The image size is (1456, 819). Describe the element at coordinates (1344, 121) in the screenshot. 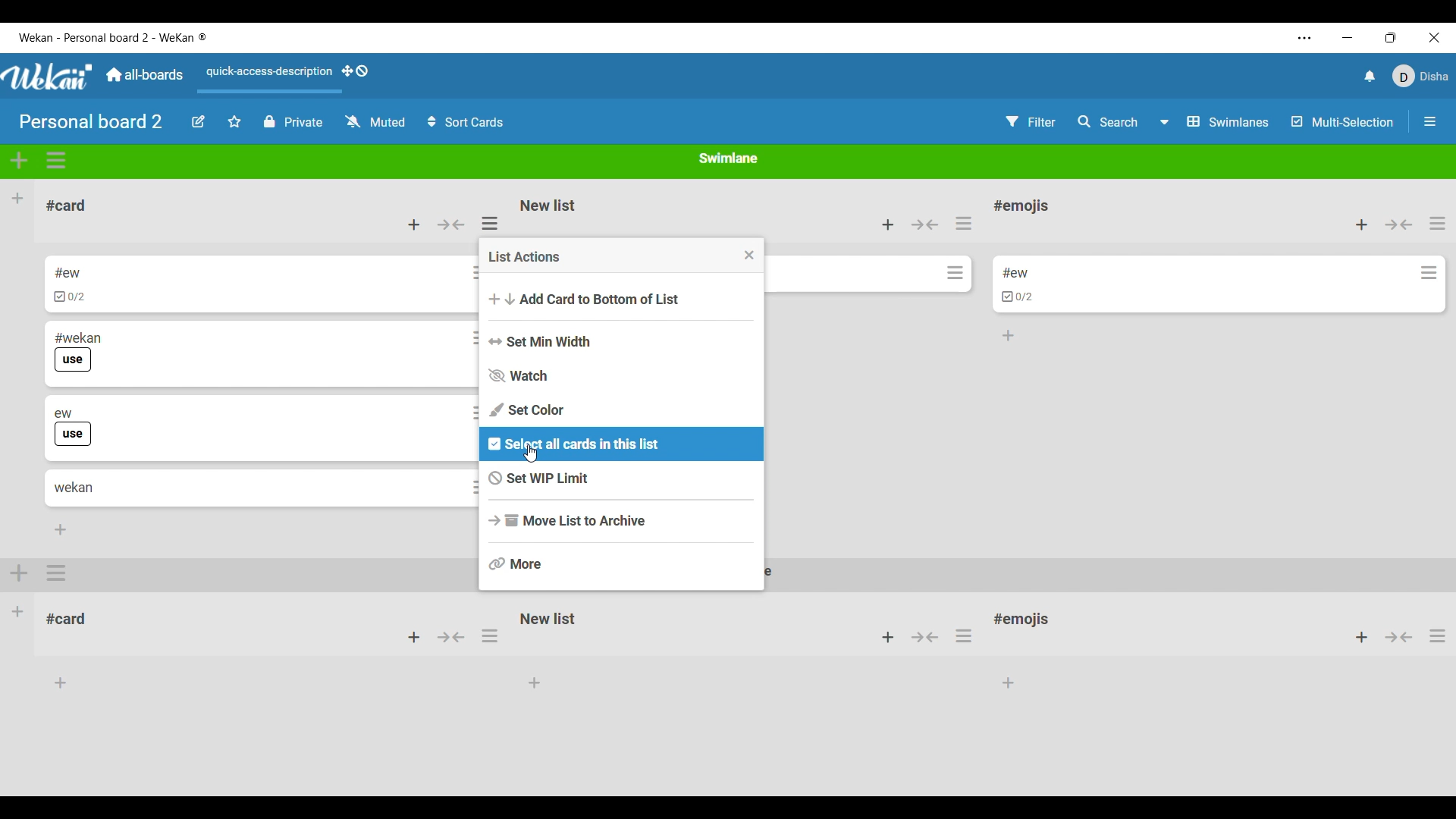

I see `Multi-selection` at that location.